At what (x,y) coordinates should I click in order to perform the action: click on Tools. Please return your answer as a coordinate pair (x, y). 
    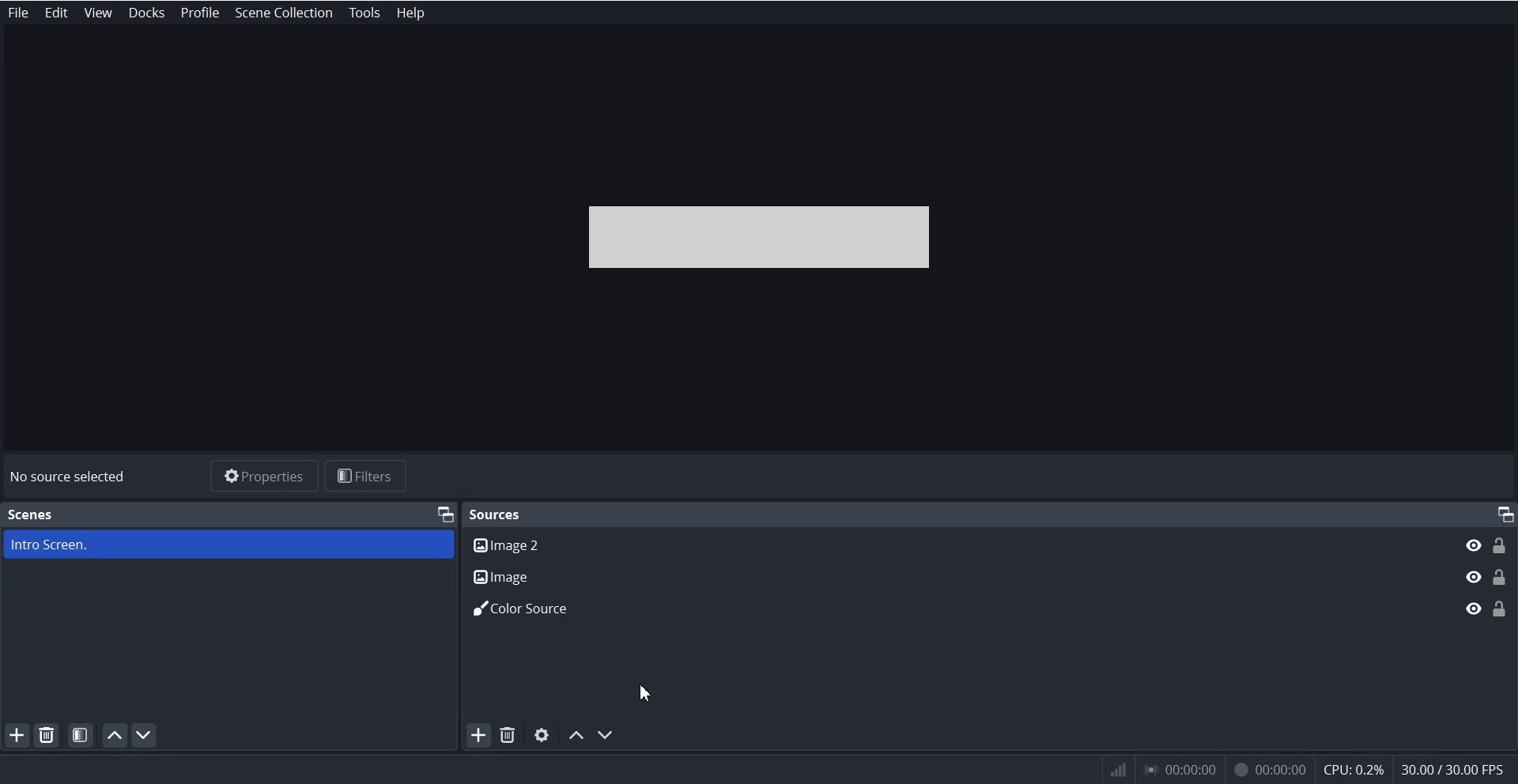
    Looking at the image, I should click on (365, 13).